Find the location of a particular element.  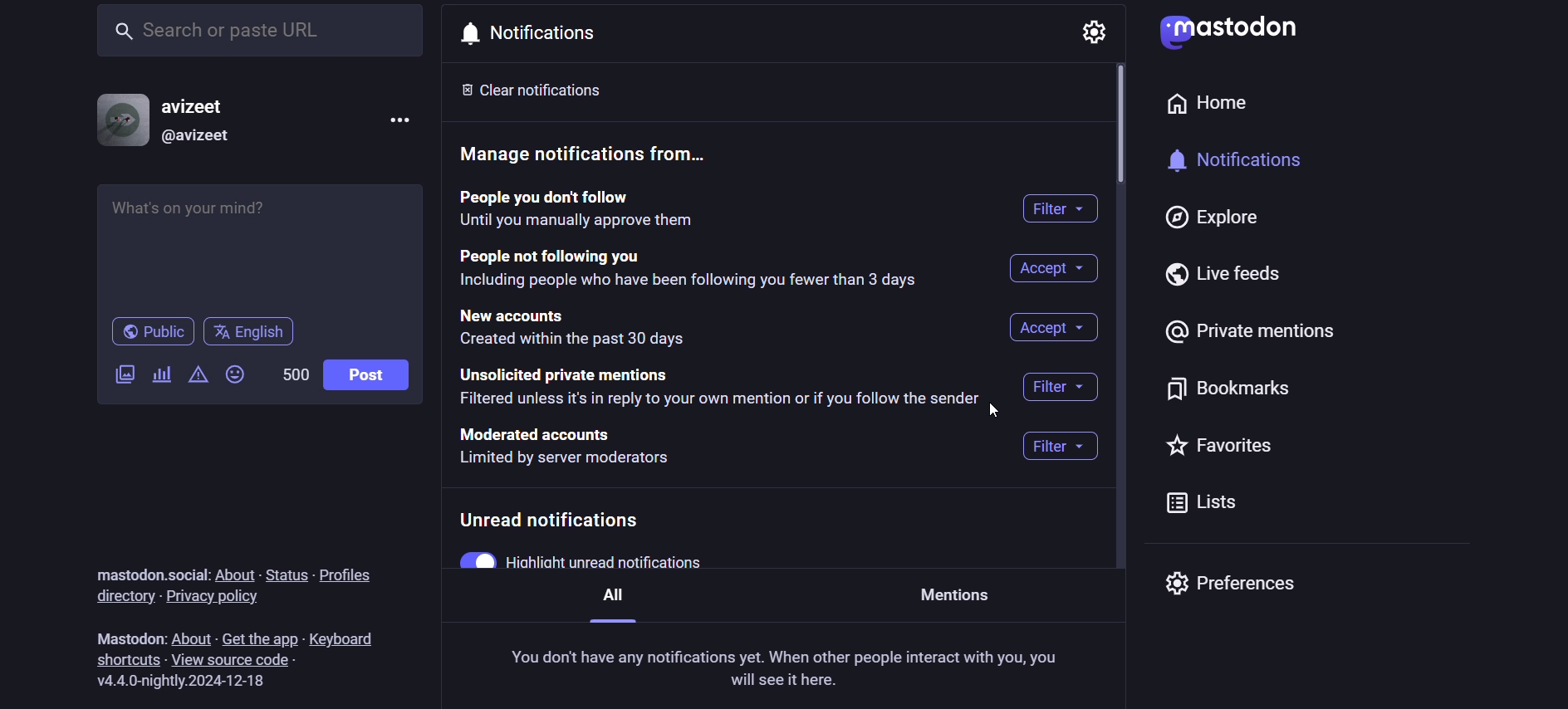

notifications is located at coordinates (536, 33).